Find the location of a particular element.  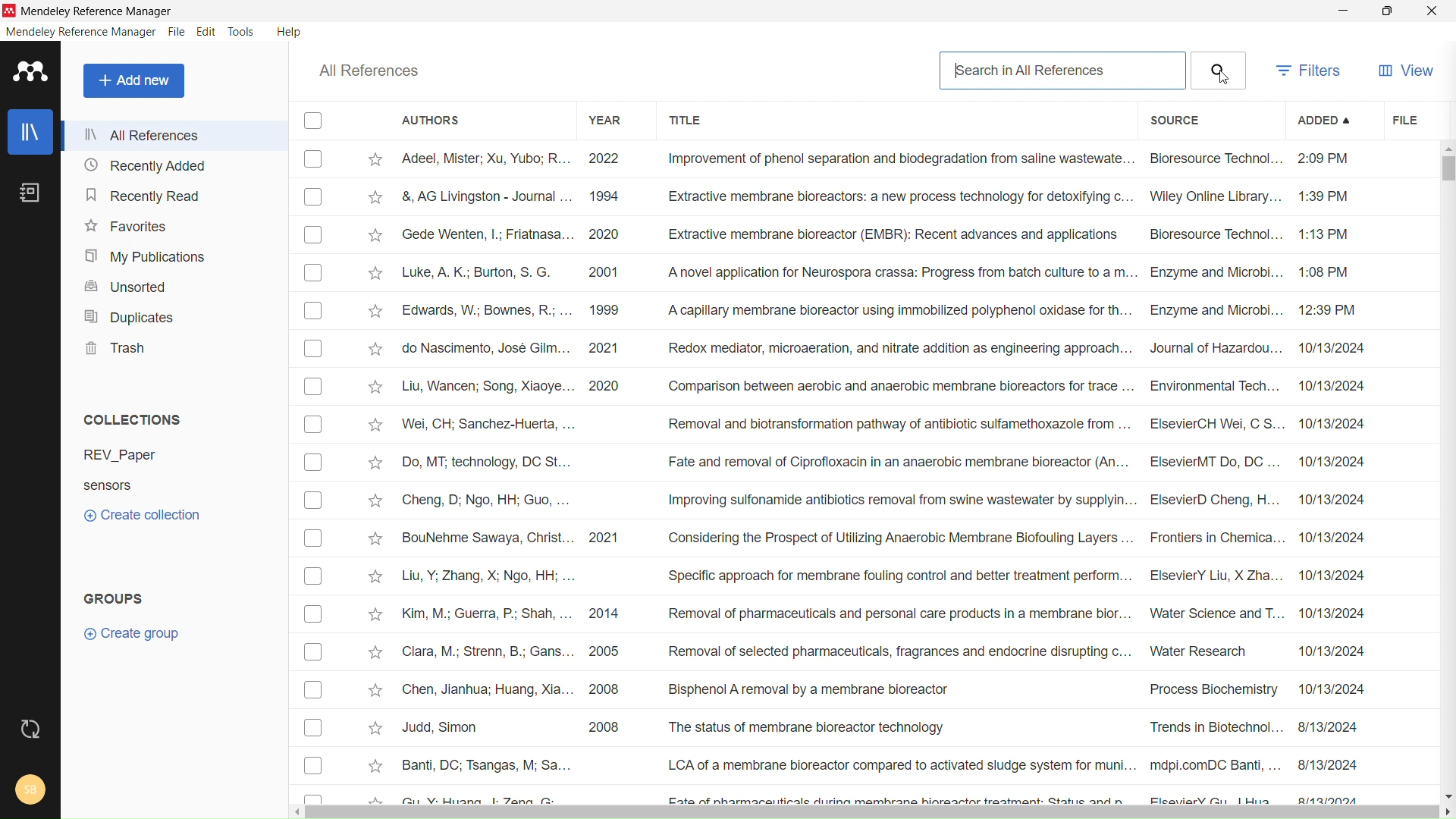

Checkbox is located at coordinates (314, 654).